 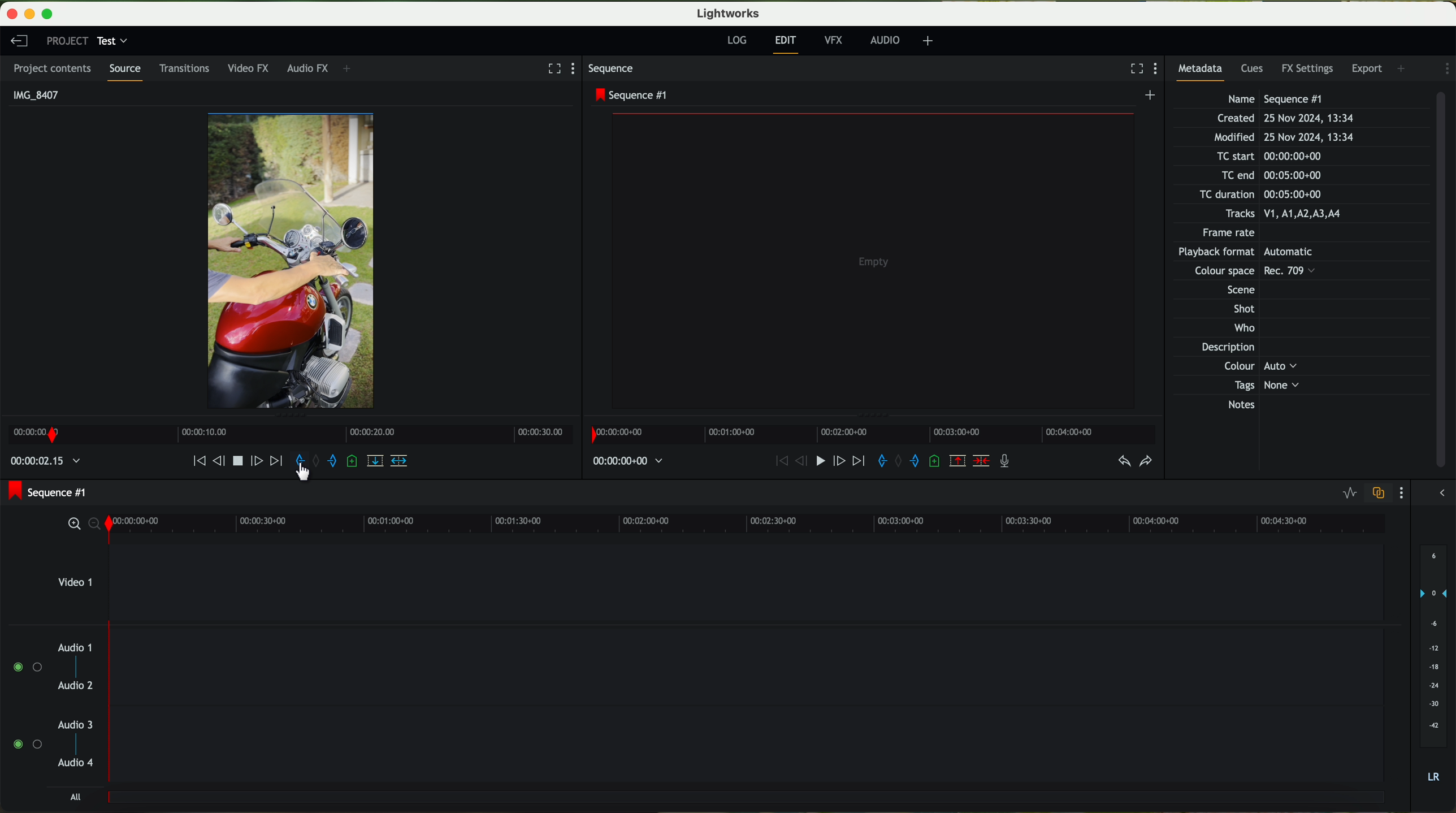 What do you see at coordinates (375, 462) in the screenshot?
I see `replace into the target sequence` at bounding box center [375, 462].